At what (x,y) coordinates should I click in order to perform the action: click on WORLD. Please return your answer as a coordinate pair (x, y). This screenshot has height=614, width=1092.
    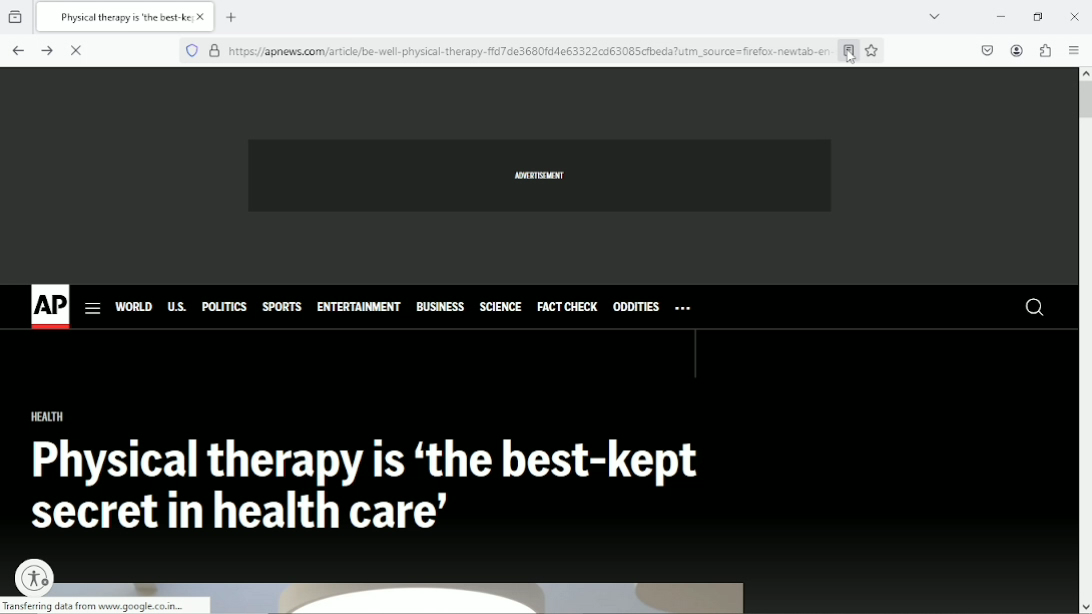
    Looking at the image, I should click on (136, 305).